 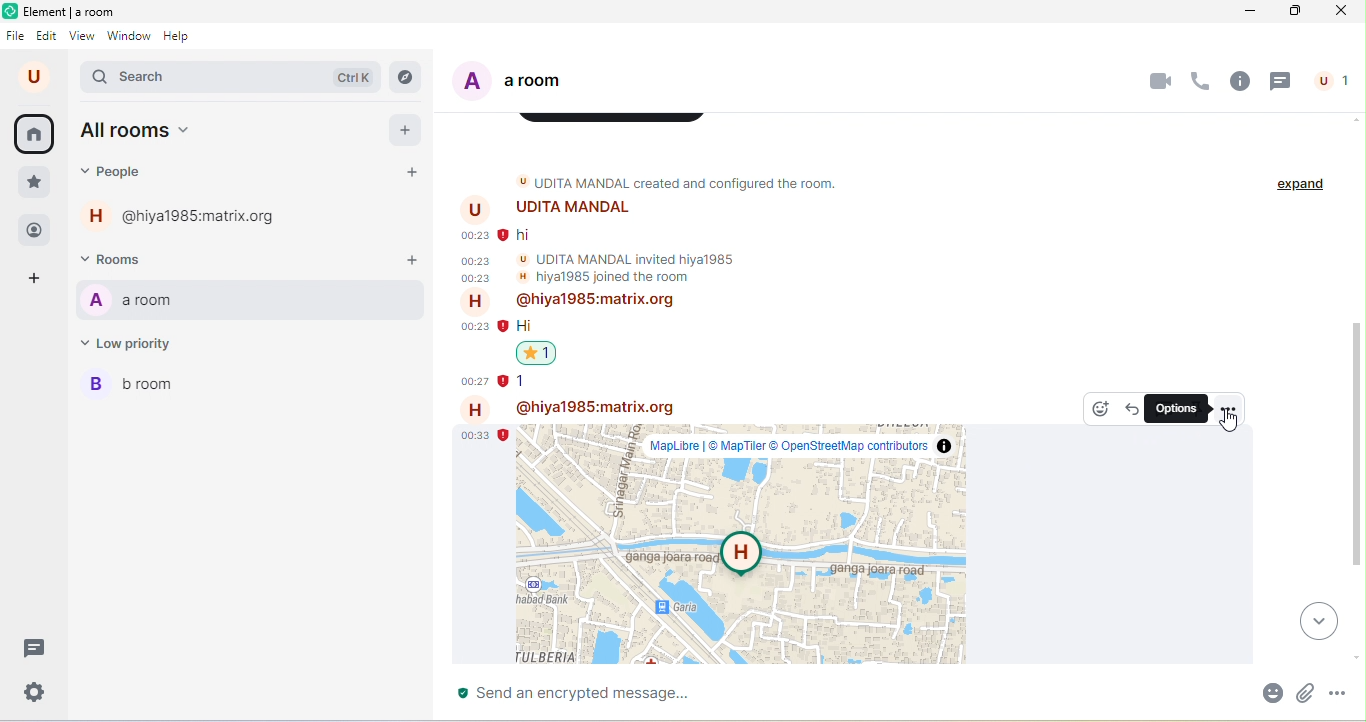 I want to click on favorite, so click(x=33, y=183).